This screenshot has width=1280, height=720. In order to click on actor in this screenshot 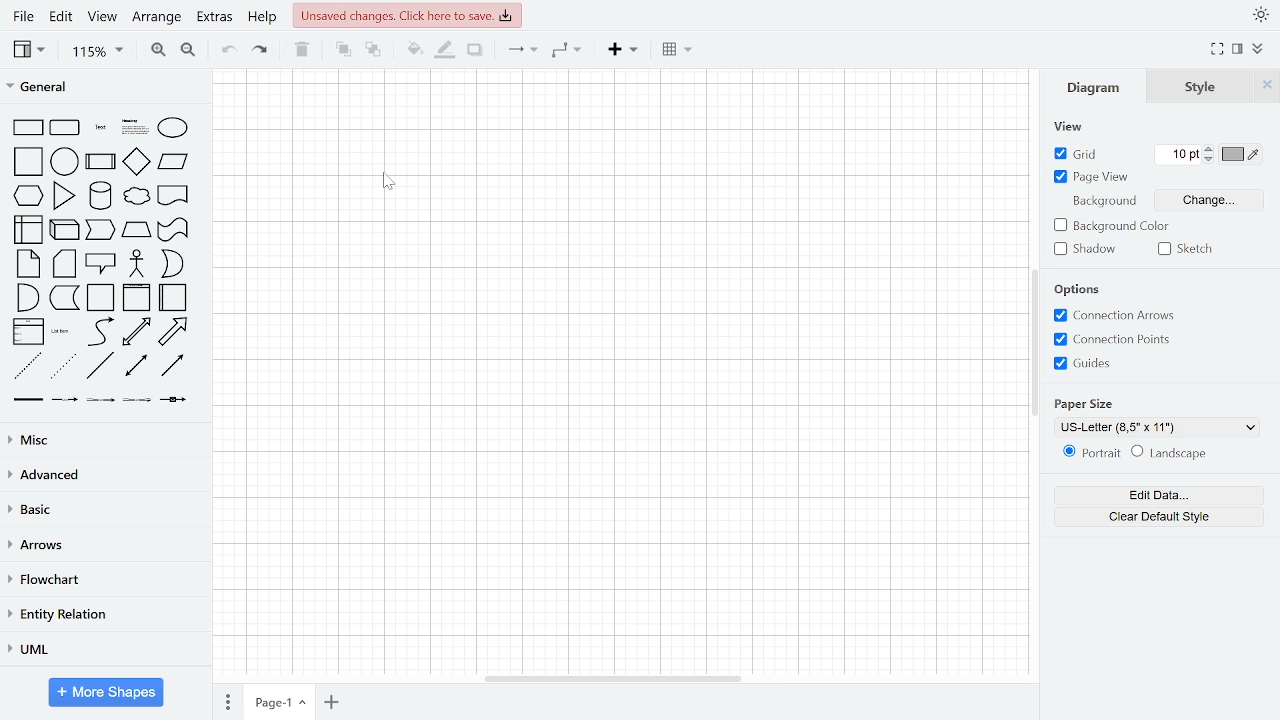, I will do `click(135, 264)`.